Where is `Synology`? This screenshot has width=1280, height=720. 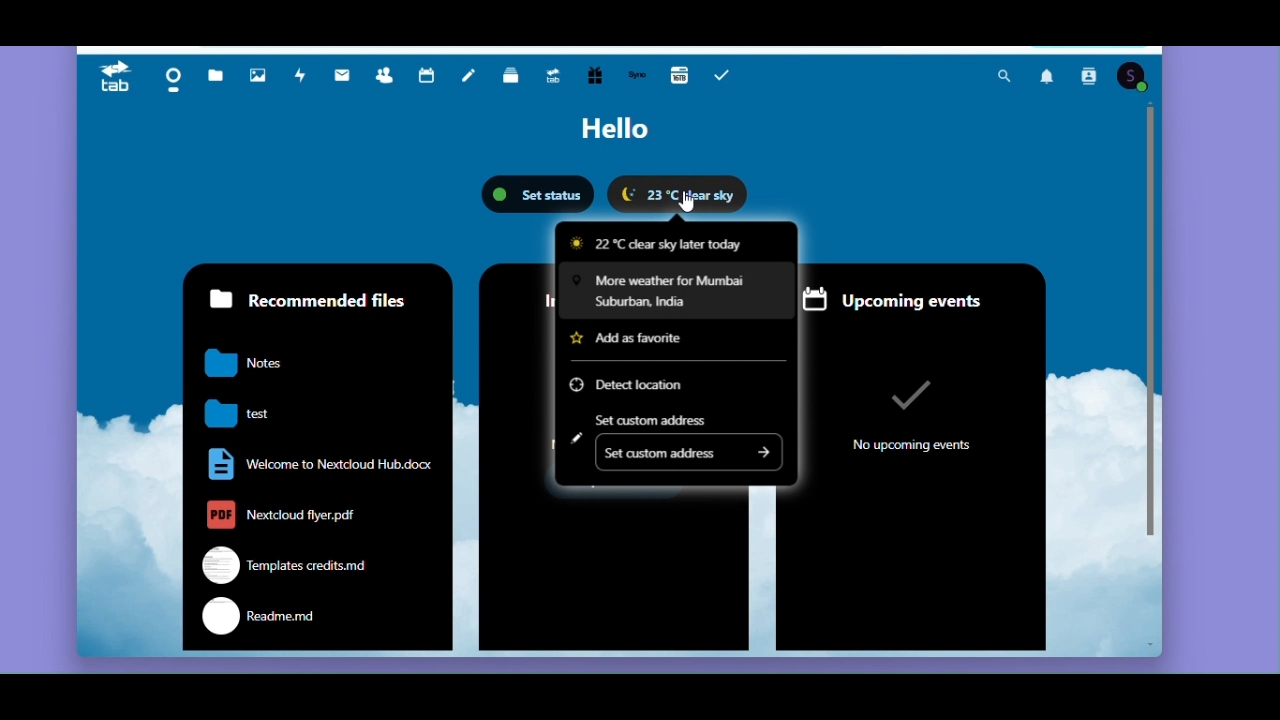
Synology is located at coordinates (637, 76).